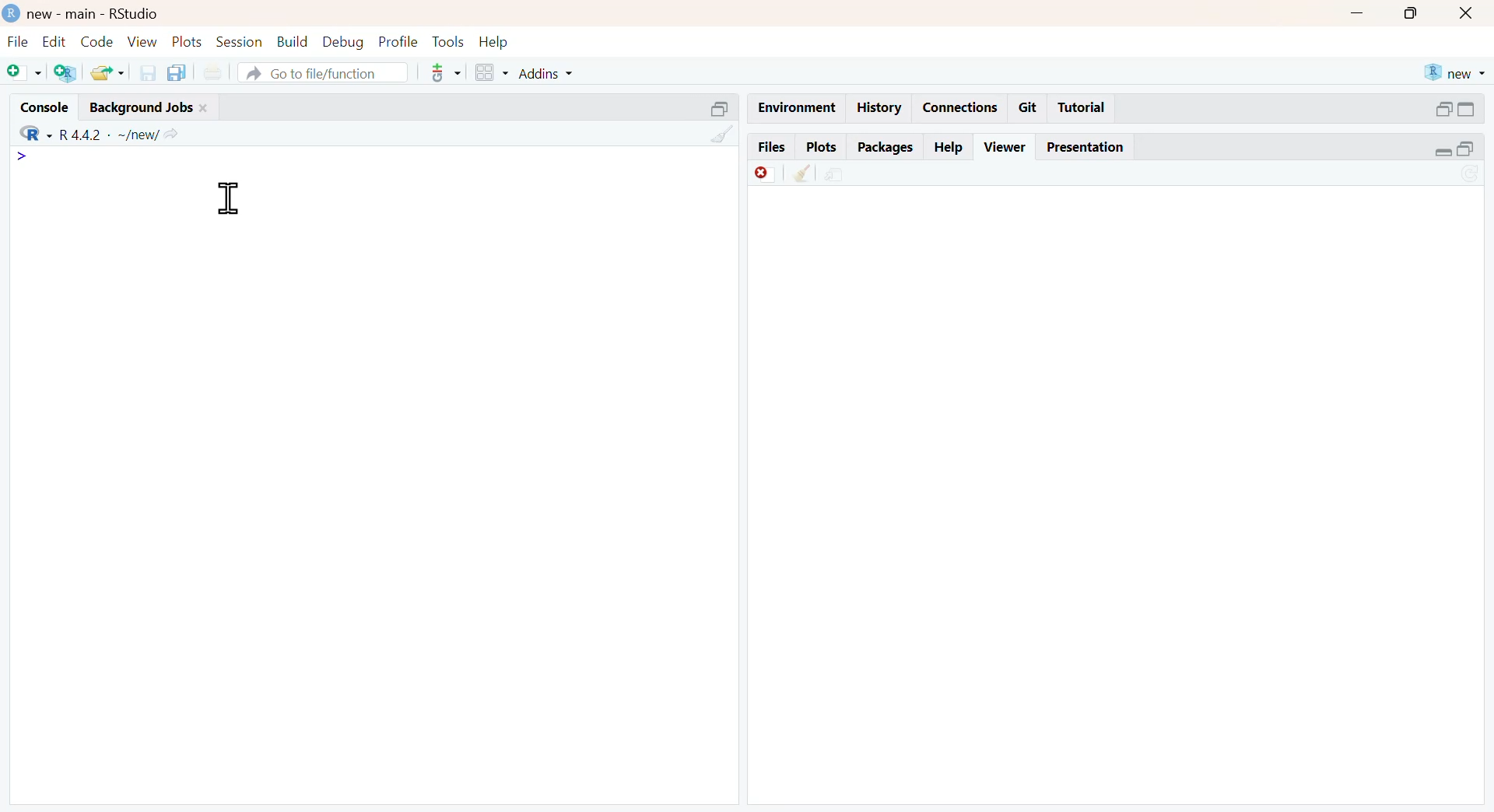  I want to click on files, so click(773, 145).